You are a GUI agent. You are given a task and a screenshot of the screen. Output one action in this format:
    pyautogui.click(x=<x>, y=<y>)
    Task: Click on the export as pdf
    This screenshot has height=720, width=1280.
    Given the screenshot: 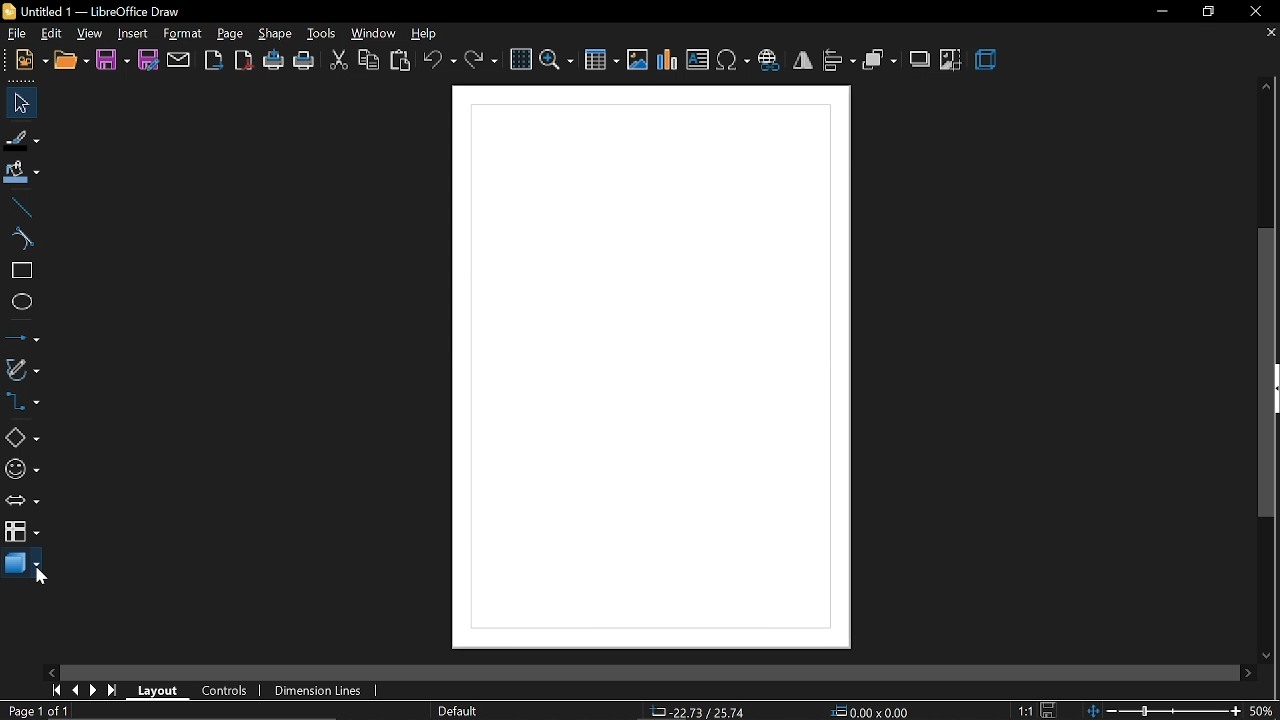 What is the action you would take?
    pyautogui.click(x=243, y=61)
    